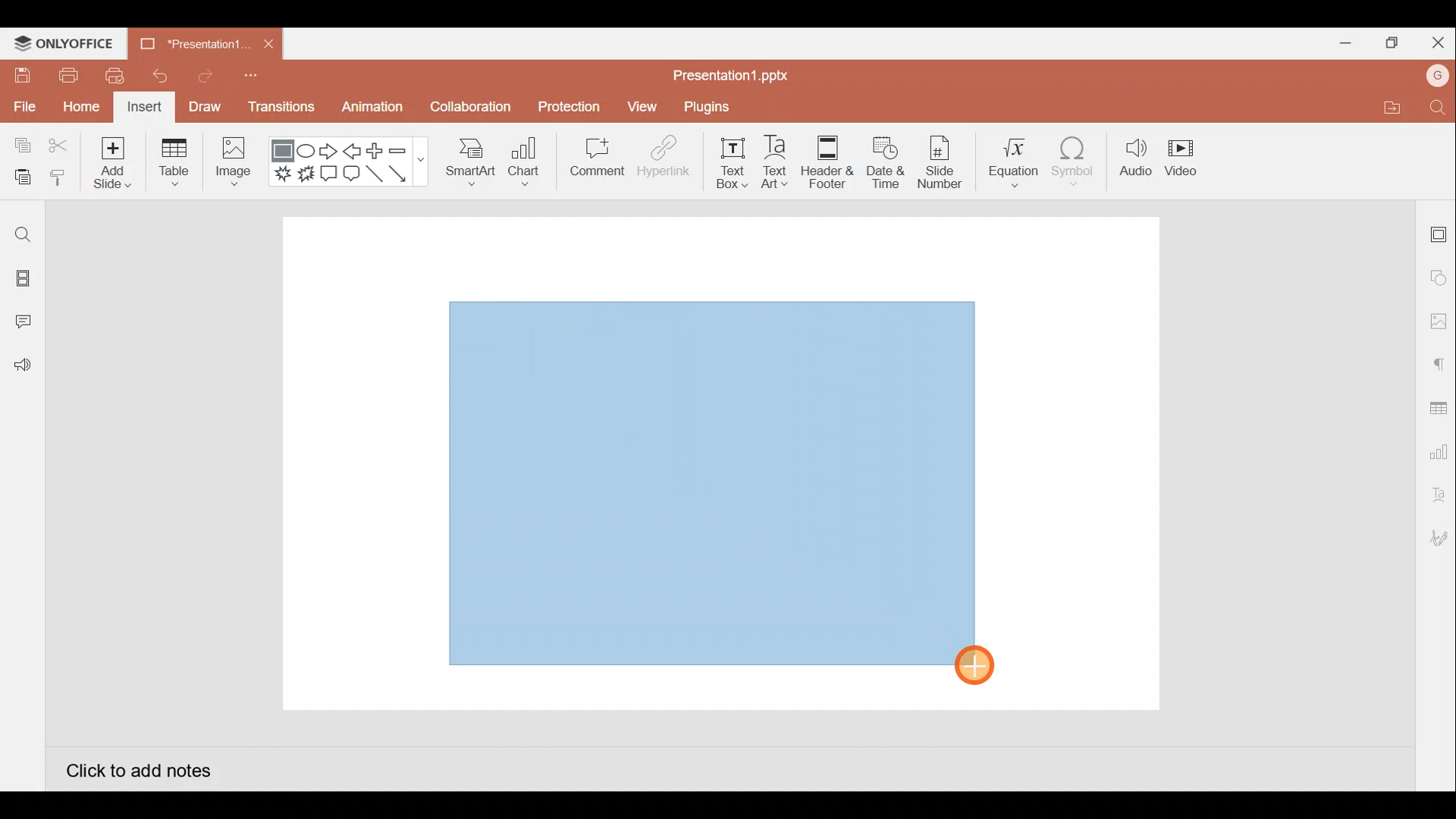 The height and width of the screenshot is (819, 1456). Describe the element at coordinates (1389, 107) in the screenshot. I see `Open file location` at that location.